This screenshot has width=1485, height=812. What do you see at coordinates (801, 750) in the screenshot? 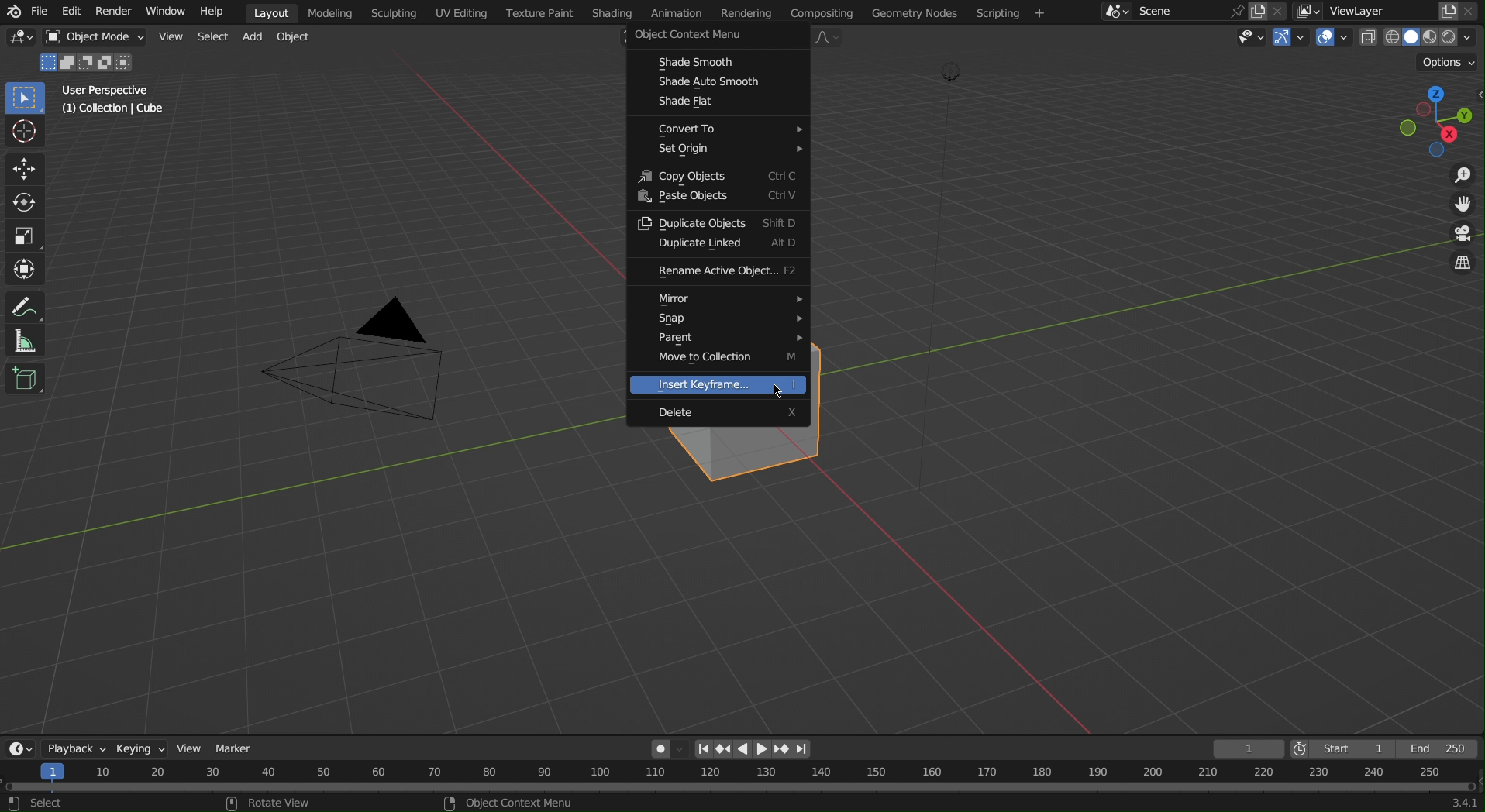
I see `Last page` at bounding box center [801, 750].